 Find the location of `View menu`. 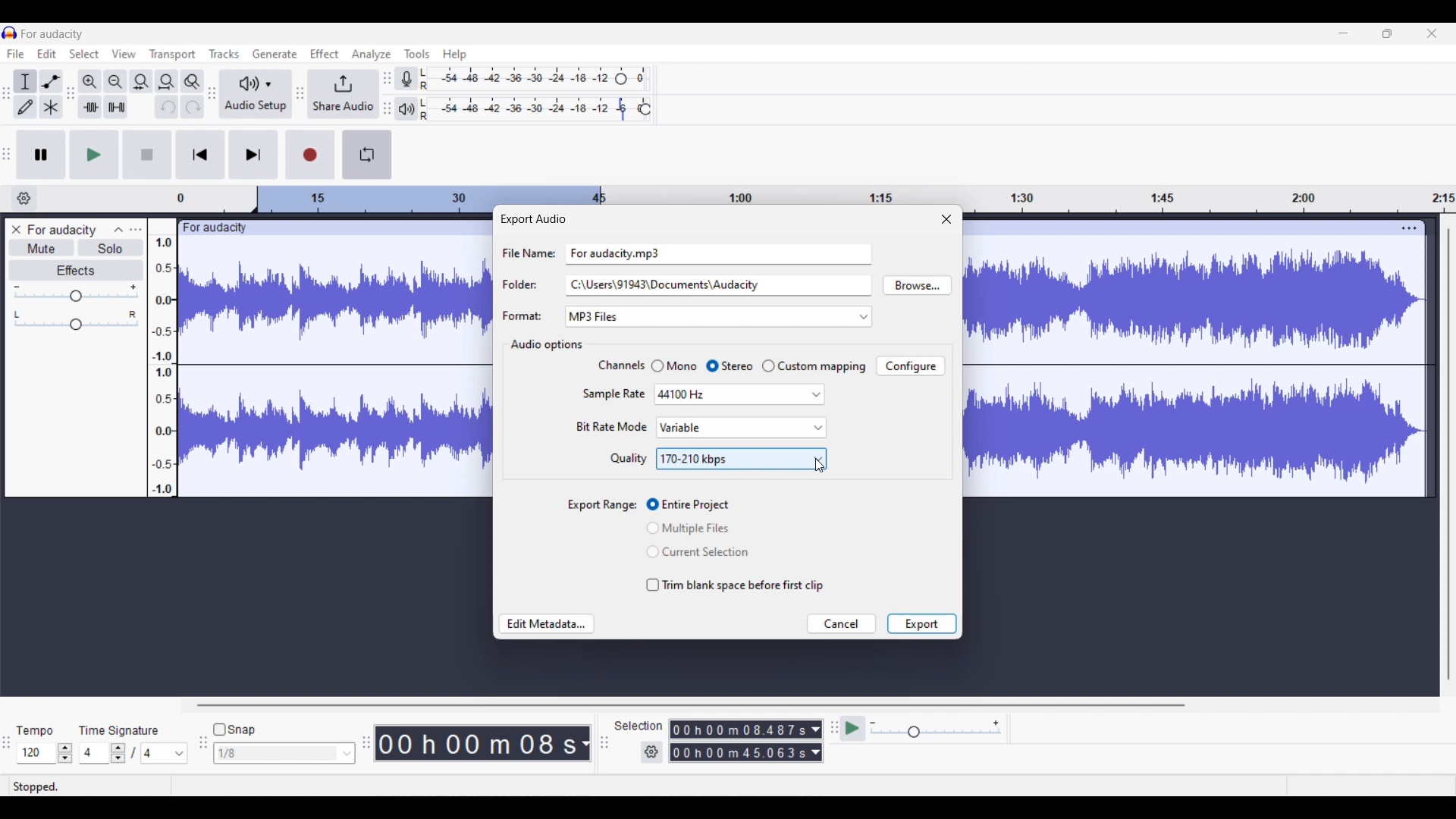

View menu is located at coordinates (124, 54).